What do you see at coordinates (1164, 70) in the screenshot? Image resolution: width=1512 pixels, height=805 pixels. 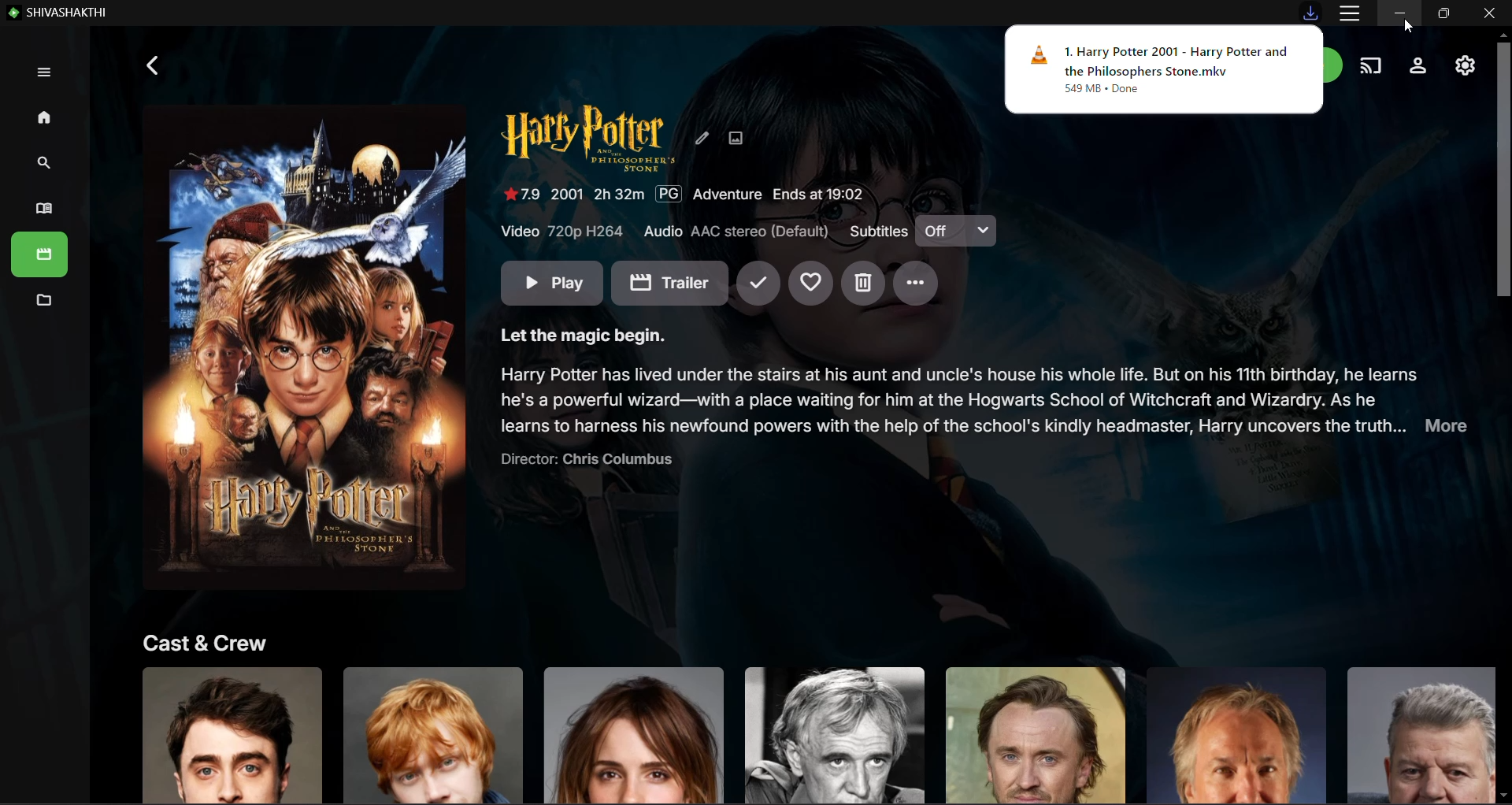 I see `Movie Download confirmation on Emby App Downloads` at bounding box center [1164, 70].